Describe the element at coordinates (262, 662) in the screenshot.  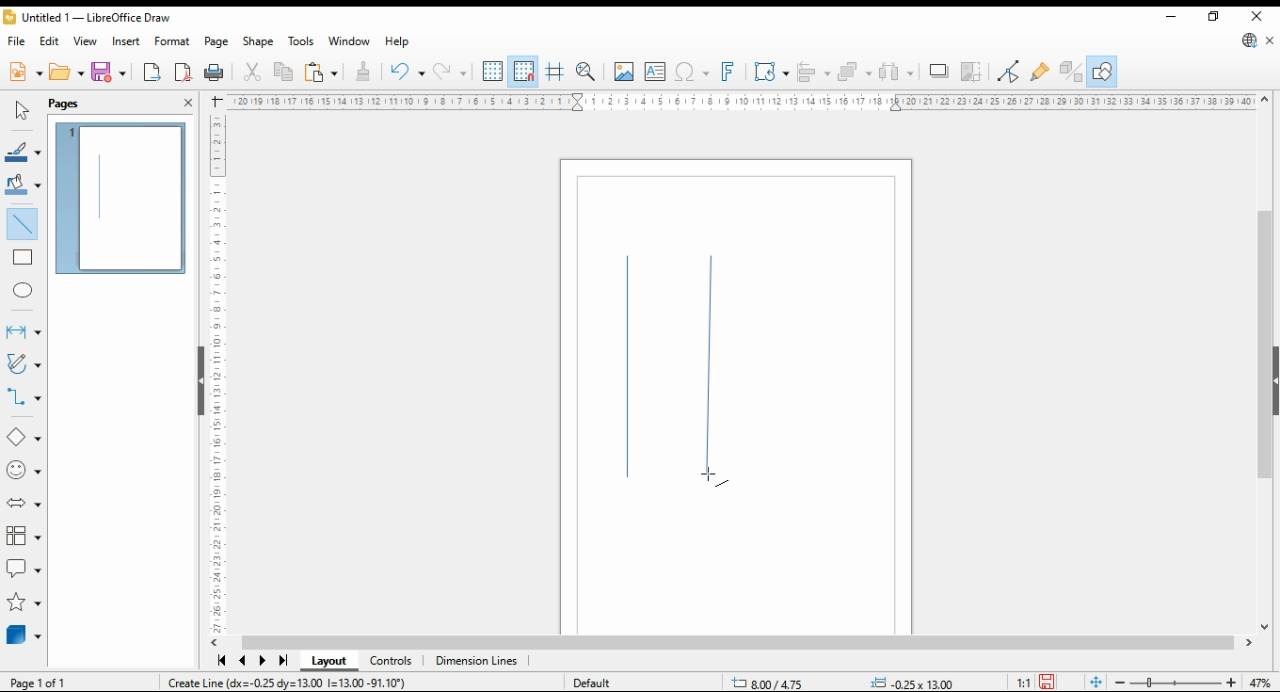
I see `next page` at that location.